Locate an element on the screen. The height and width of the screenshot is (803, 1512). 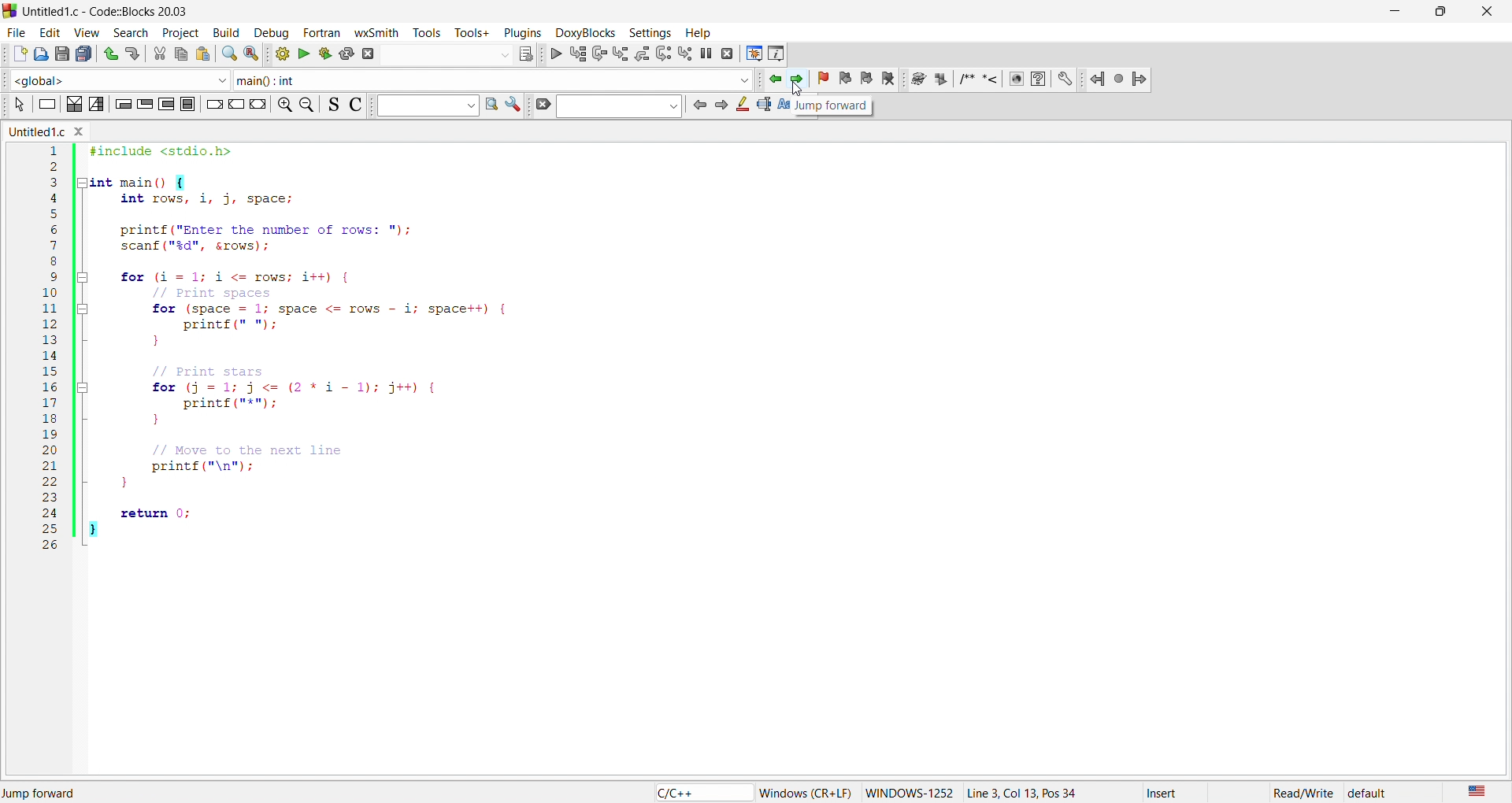
icon is located at coordinates (187, 105).